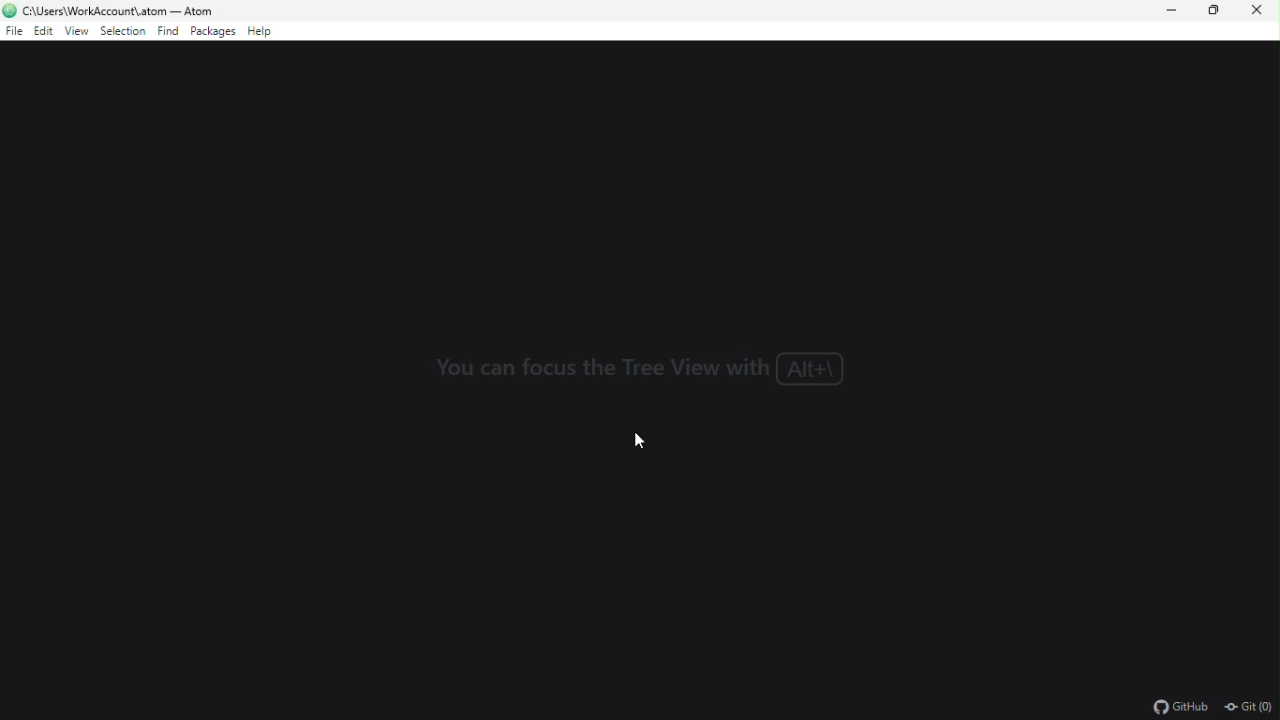  What do you see at coordinates (1173, 703) in the screenshot?
I see `GitHub` at bounding box center [1173, 703].